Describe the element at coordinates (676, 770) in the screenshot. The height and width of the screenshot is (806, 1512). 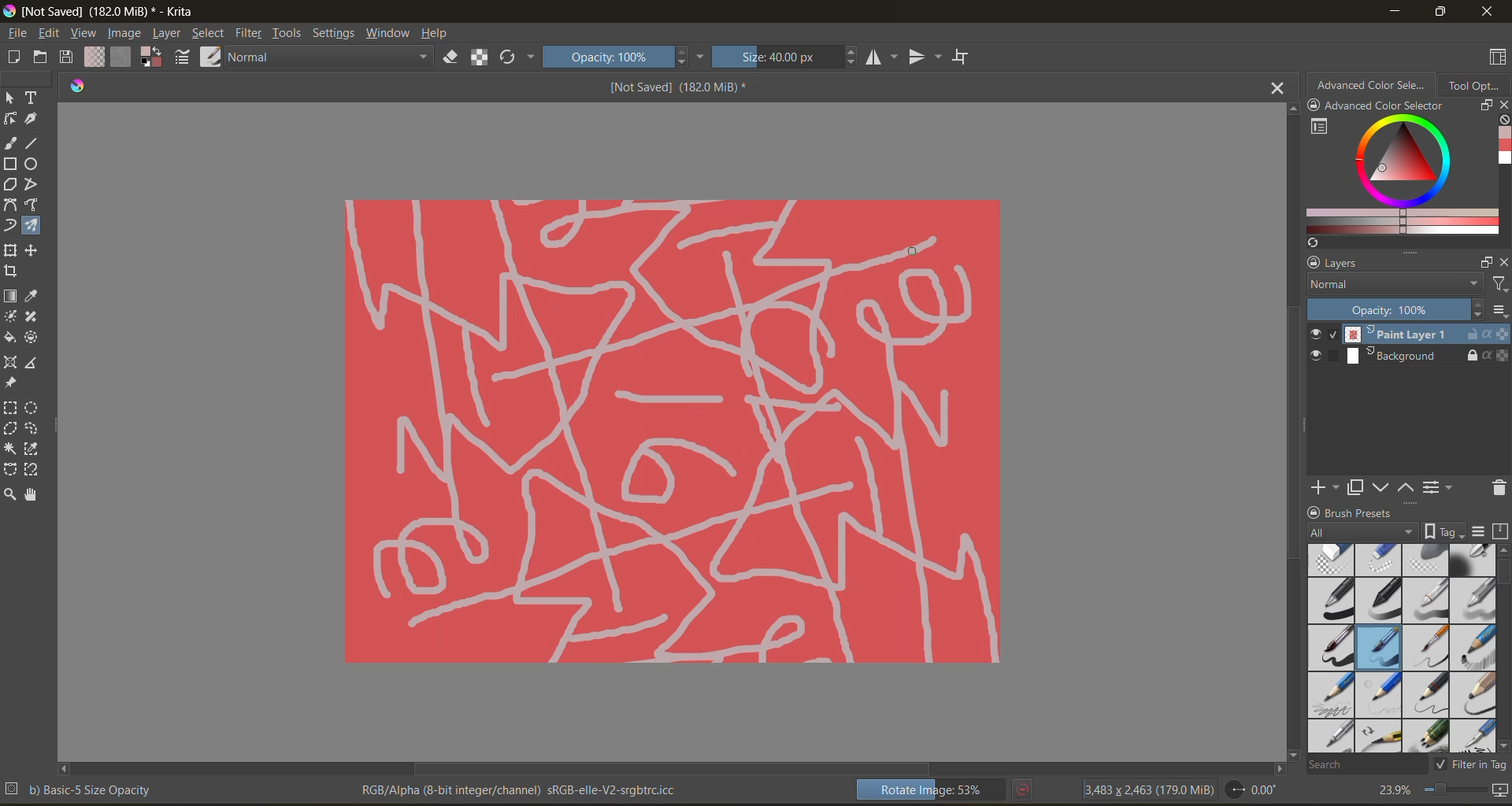
I see `horizontal scroll bar` at that location.